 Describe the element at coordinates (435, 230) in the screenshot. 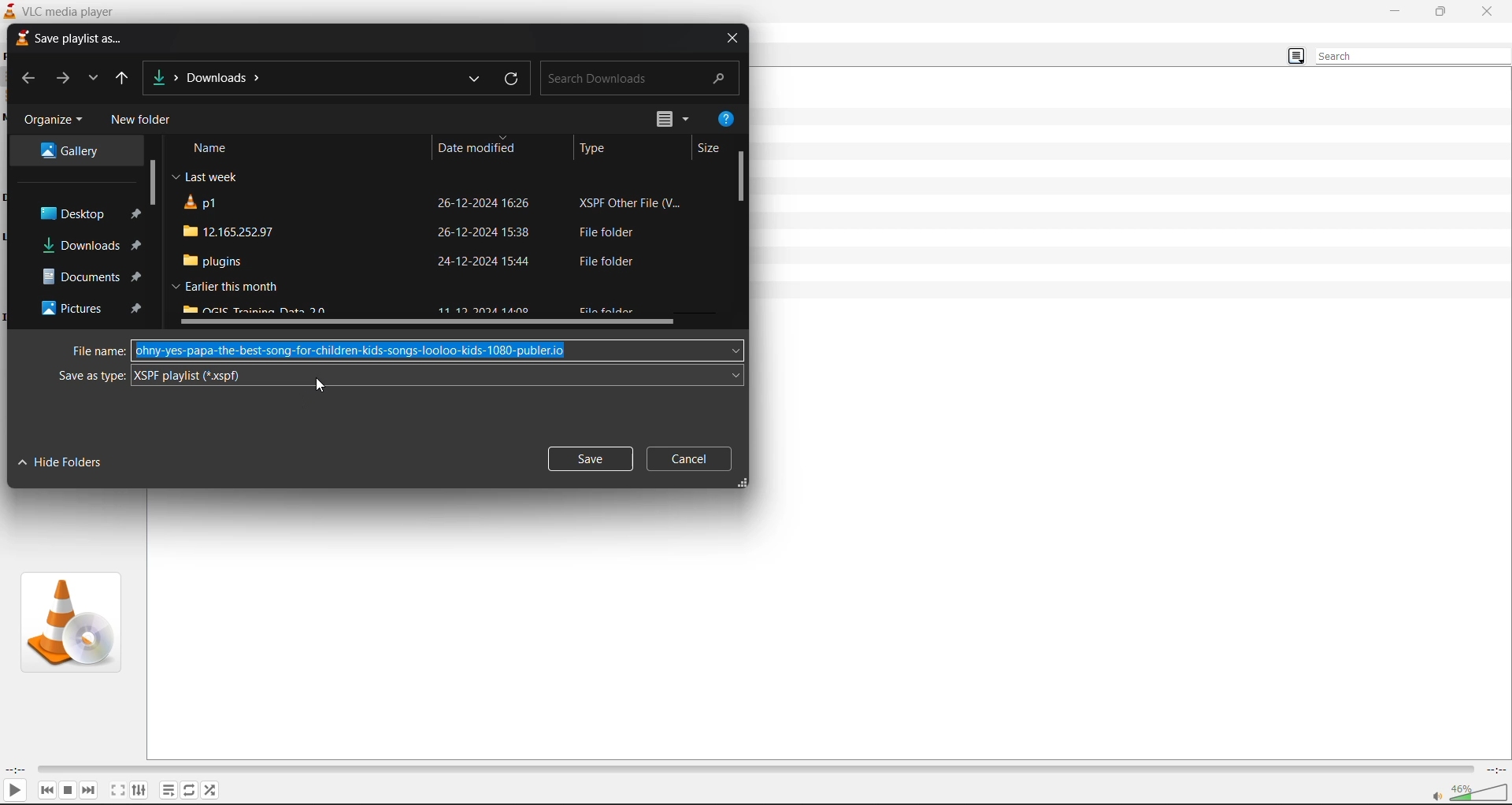

I see `file name , date modified and type` at that location.